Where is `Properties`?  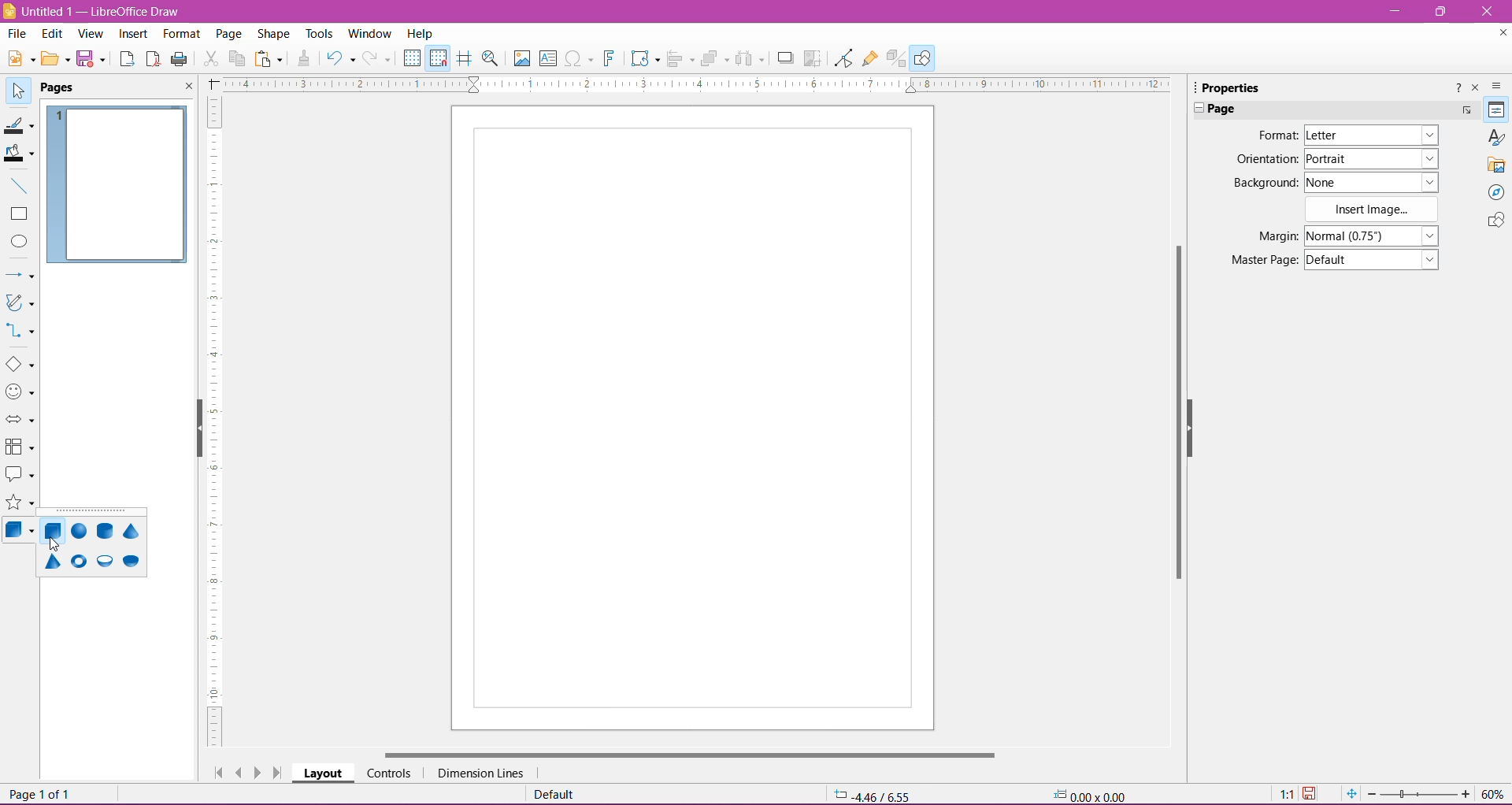
Properties is located at coordinates (1497, 109).